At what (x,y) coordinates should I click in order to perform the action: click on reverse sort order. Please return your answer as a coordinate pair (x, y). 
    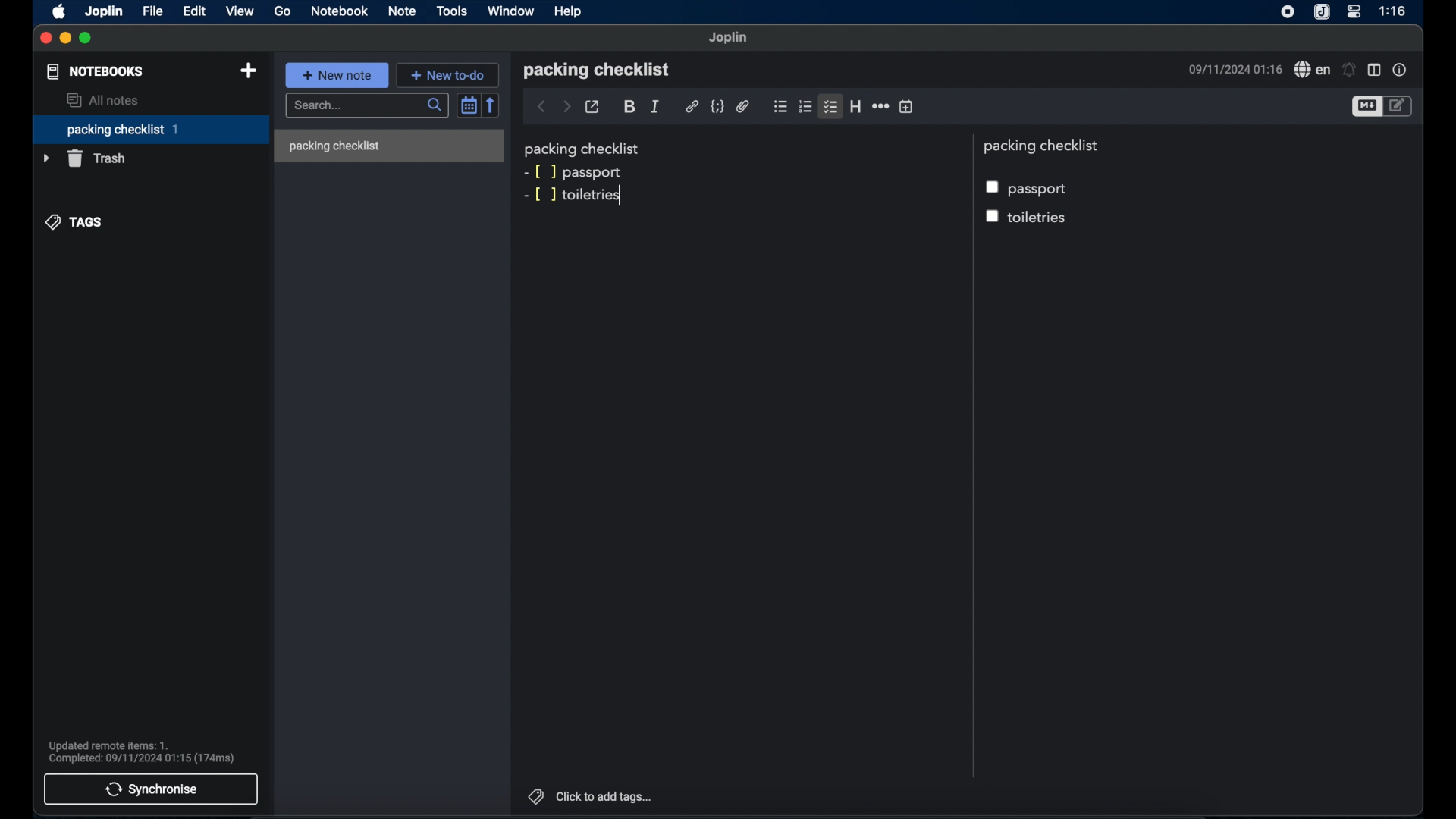
    Looking at the image, I should click on (491, 105).